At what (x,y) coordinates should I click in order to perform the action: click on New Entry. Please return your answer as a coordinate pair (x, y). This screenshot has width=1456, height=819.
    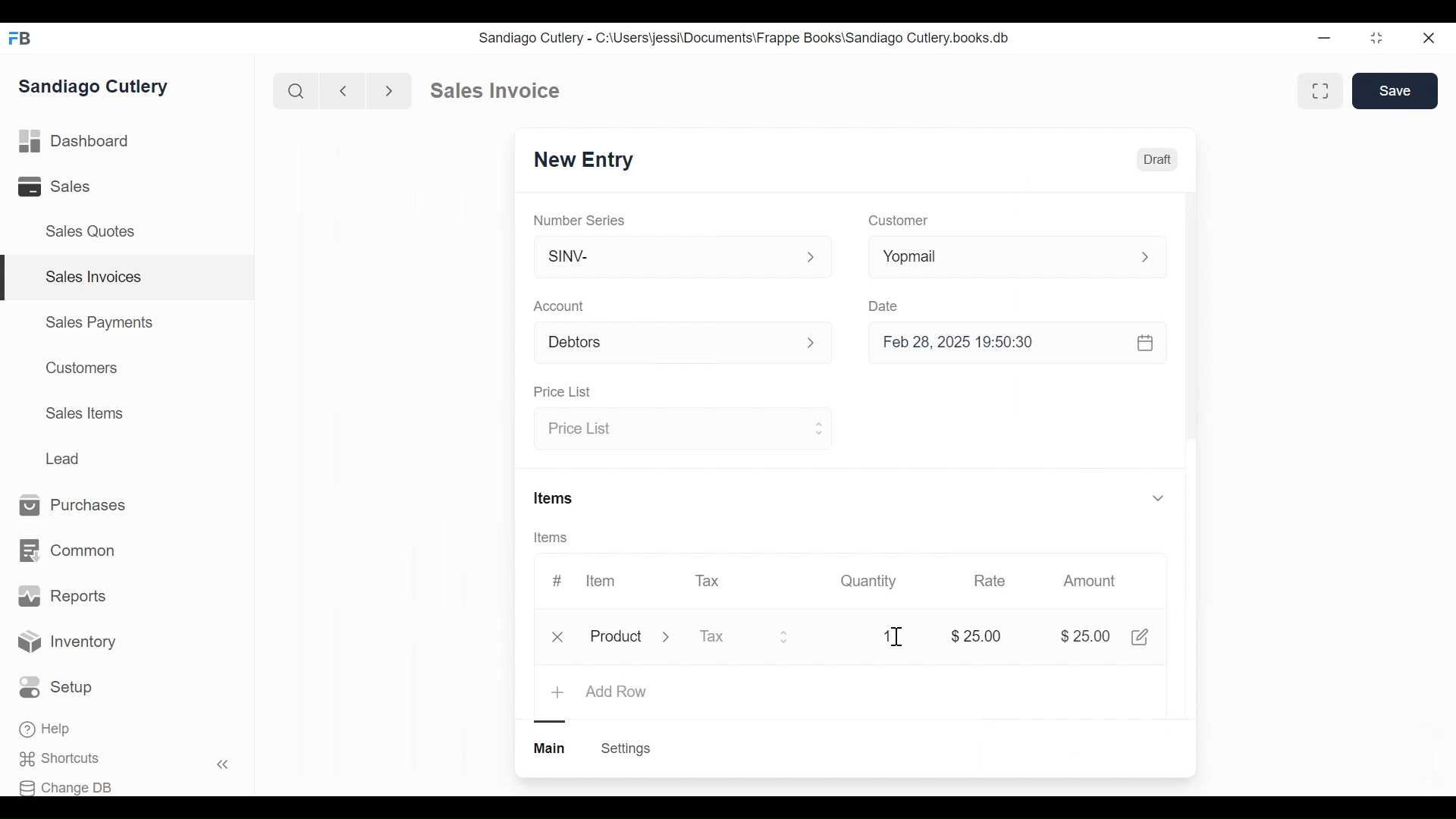
    Looking at the image, I should click on (579, 162).